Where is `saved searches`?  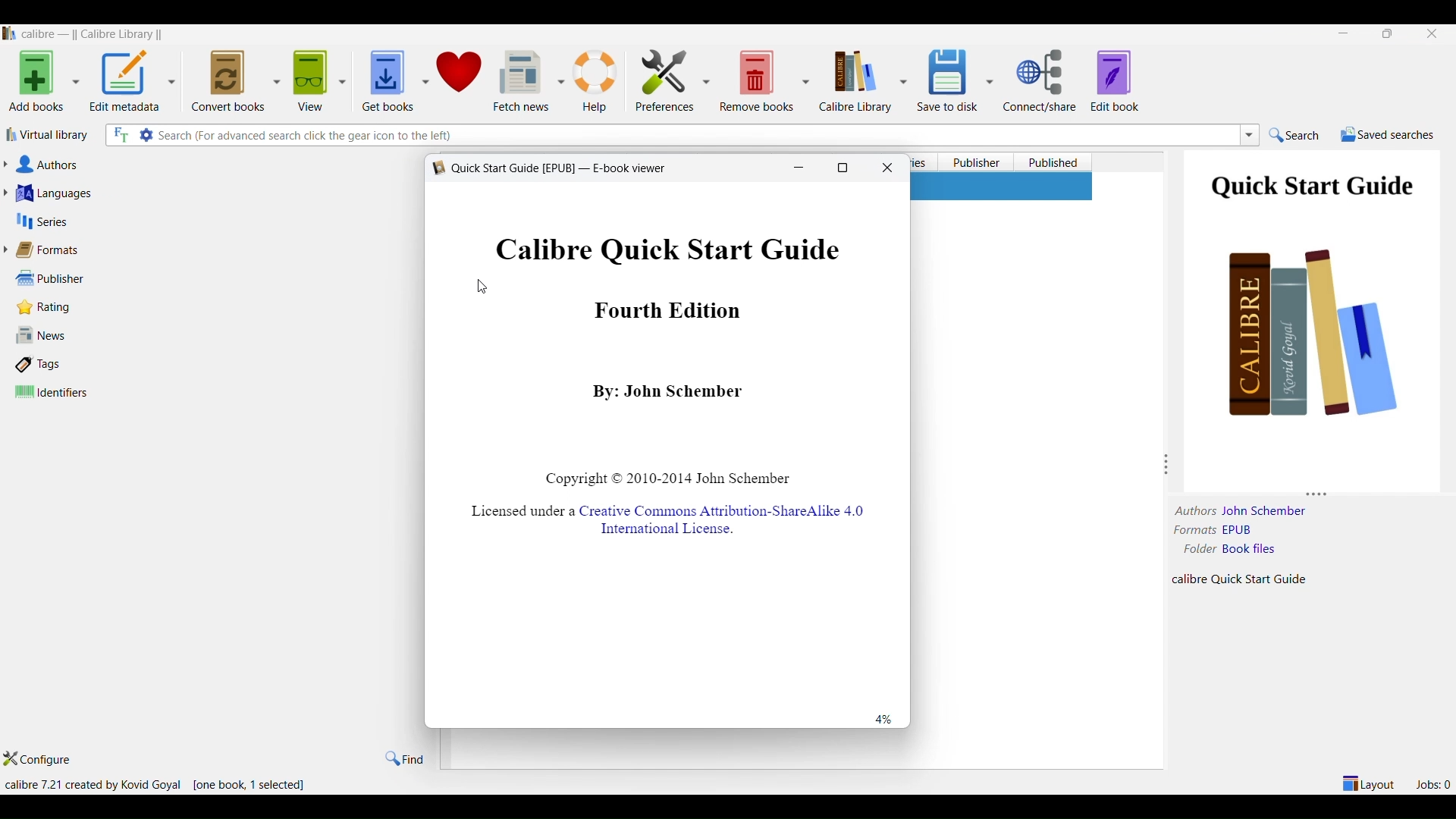 saved searches is located at coordinates (1389, 135).